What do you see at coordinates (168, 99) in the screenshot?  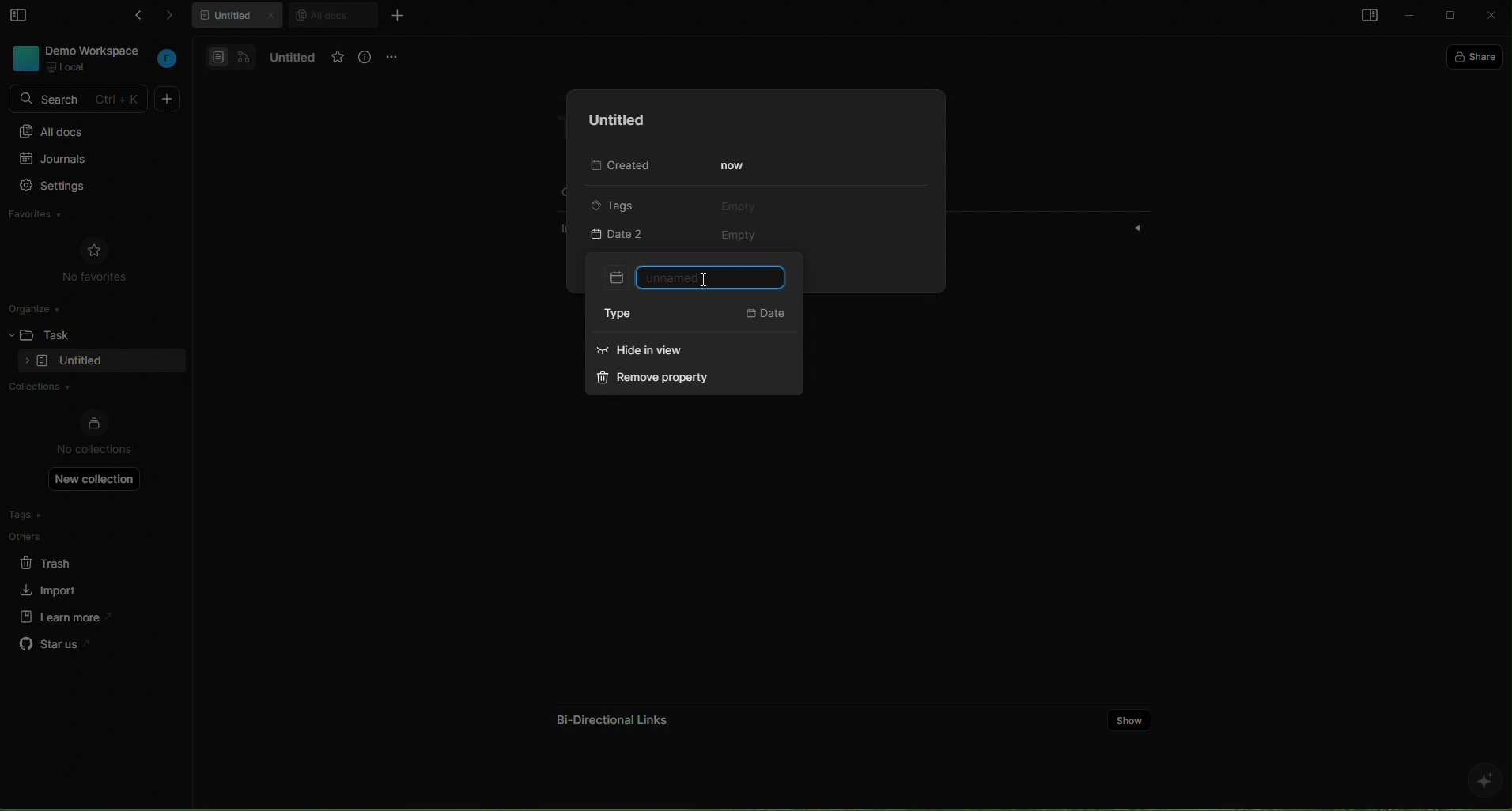 I see `new doc` at bounding box center [168, 99].